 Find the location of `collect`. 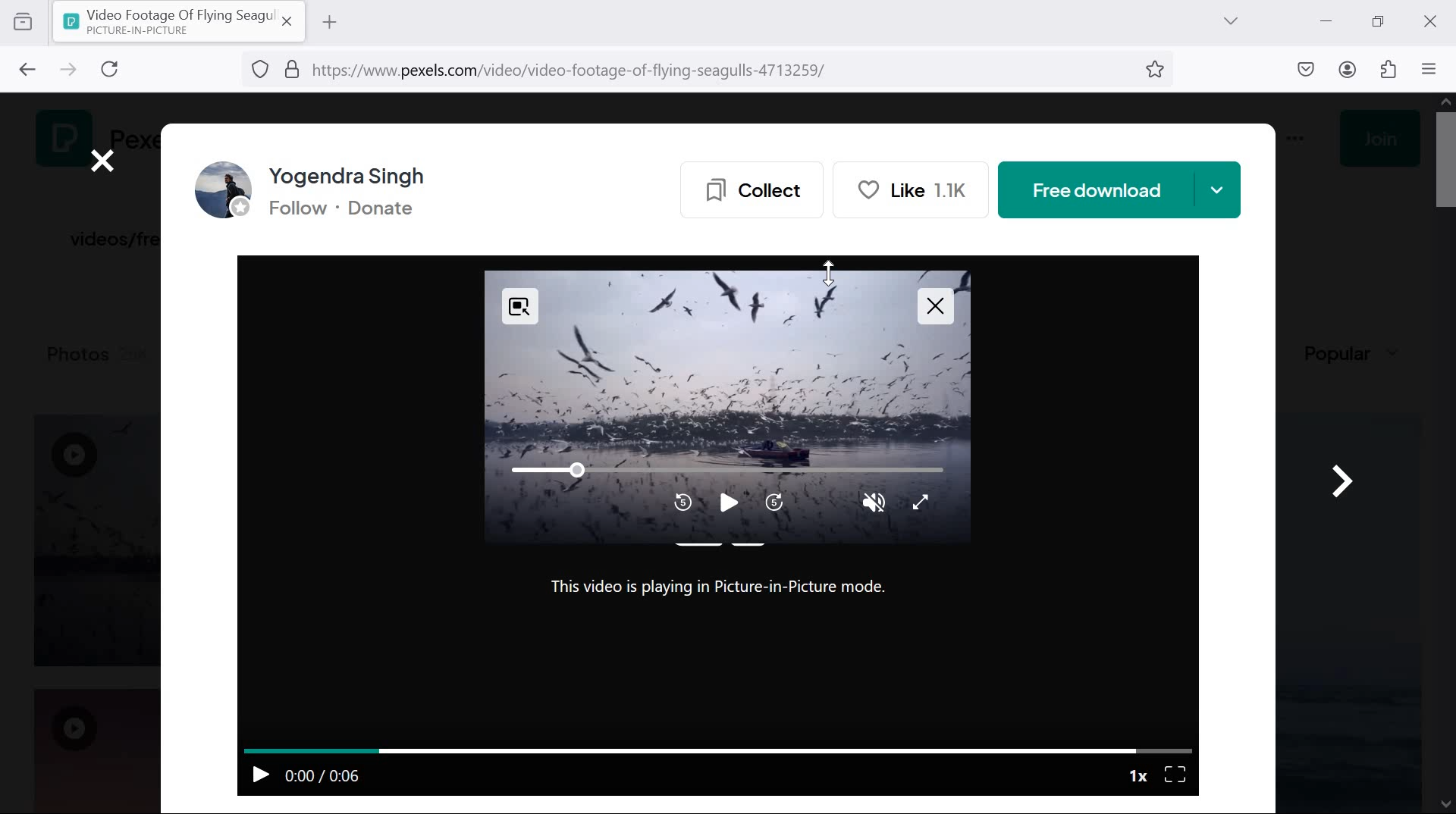

collect is located at coordinates (747, 187).